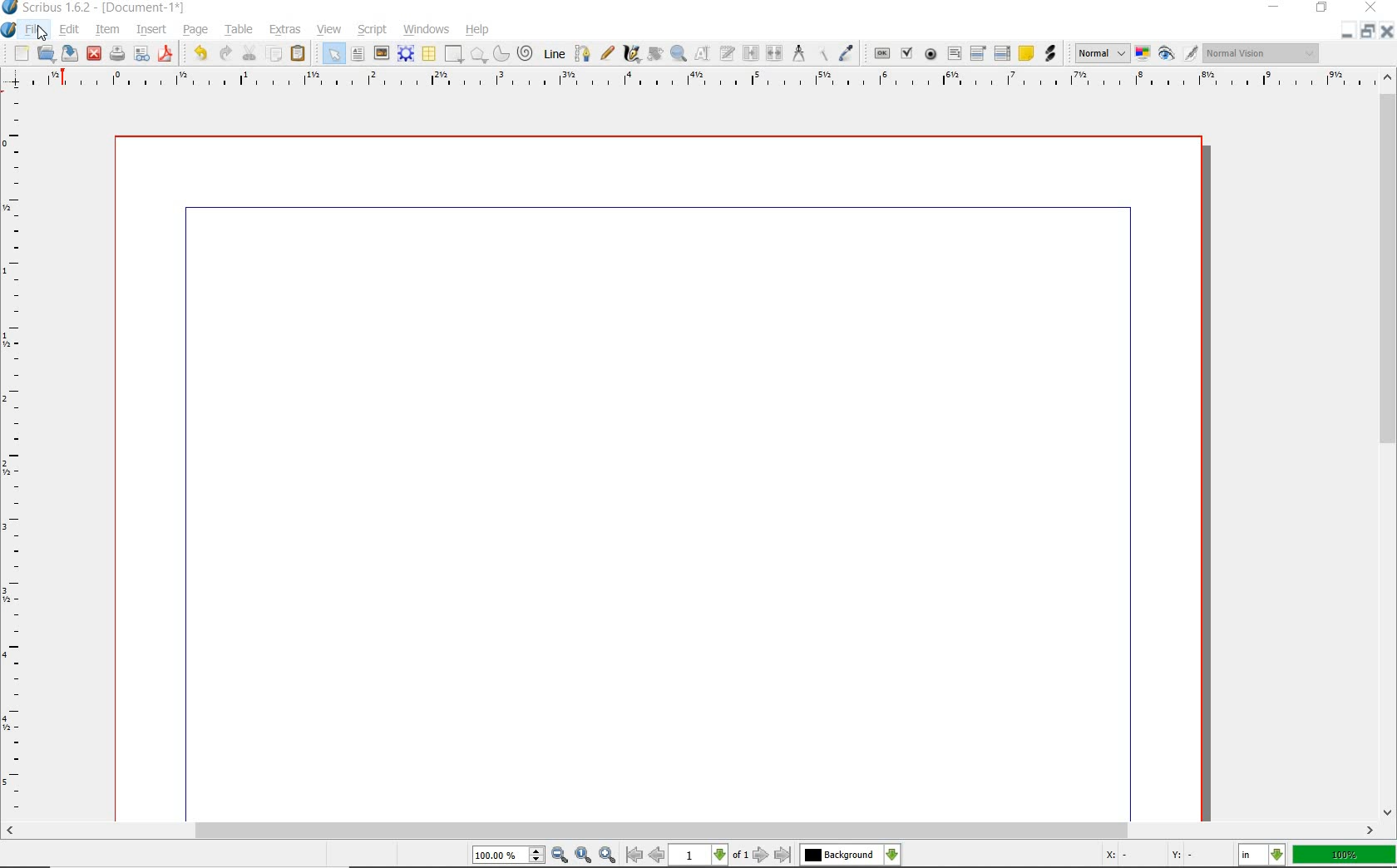 The width and height of the screenshot is (1397, 868). What do you see at coordinates (43, 32) in the screenshot?
I see `cursor` at bounding box center [43, 32].